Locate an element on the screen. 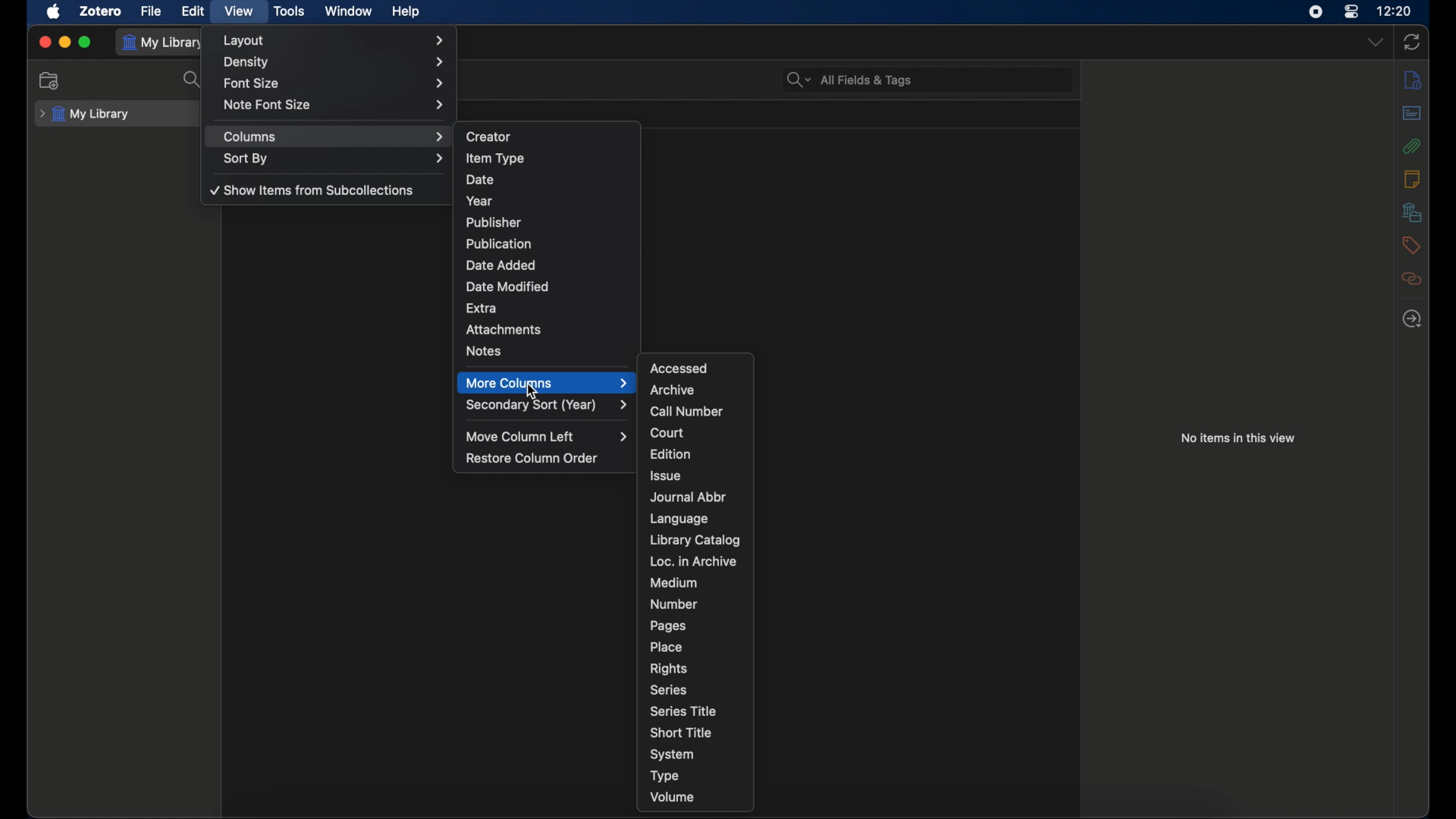  type is located at coordinates (665, 777).